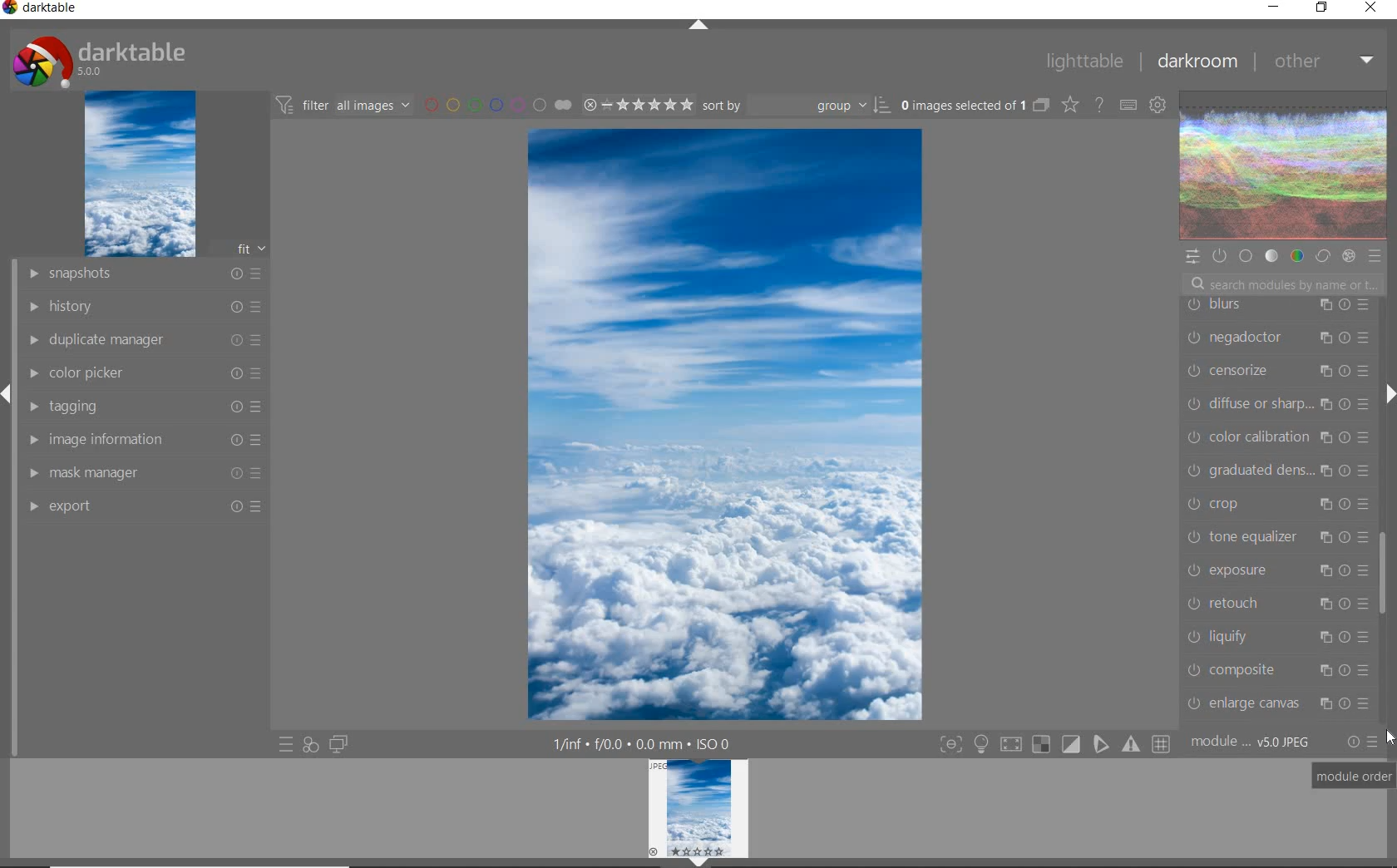 This screenshot has width=1397, height=868. I want to click on diffuse or sharpen, so click(1277, 404).